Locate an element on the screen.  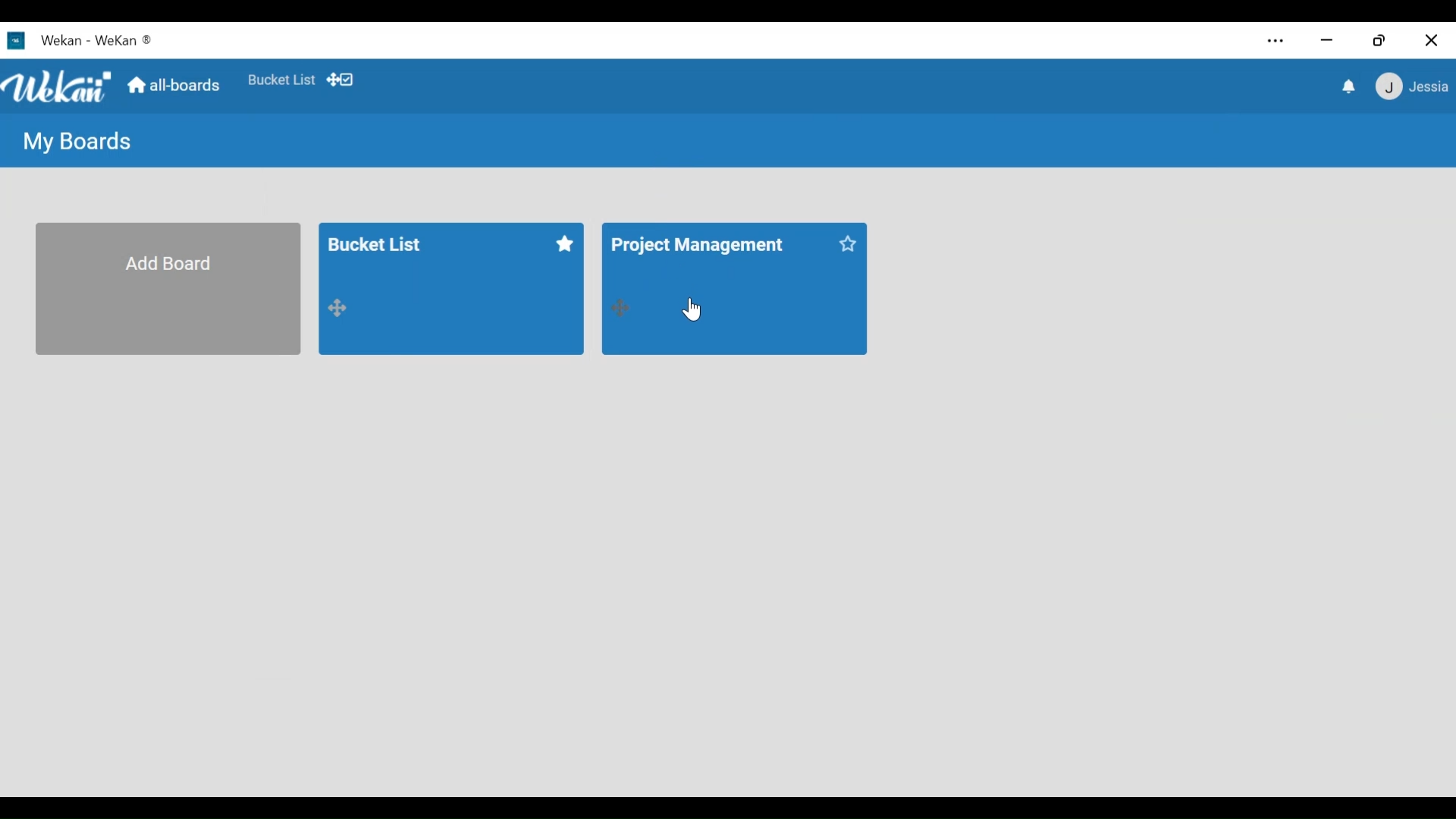
Restore is located at coordinates (1379, 40).